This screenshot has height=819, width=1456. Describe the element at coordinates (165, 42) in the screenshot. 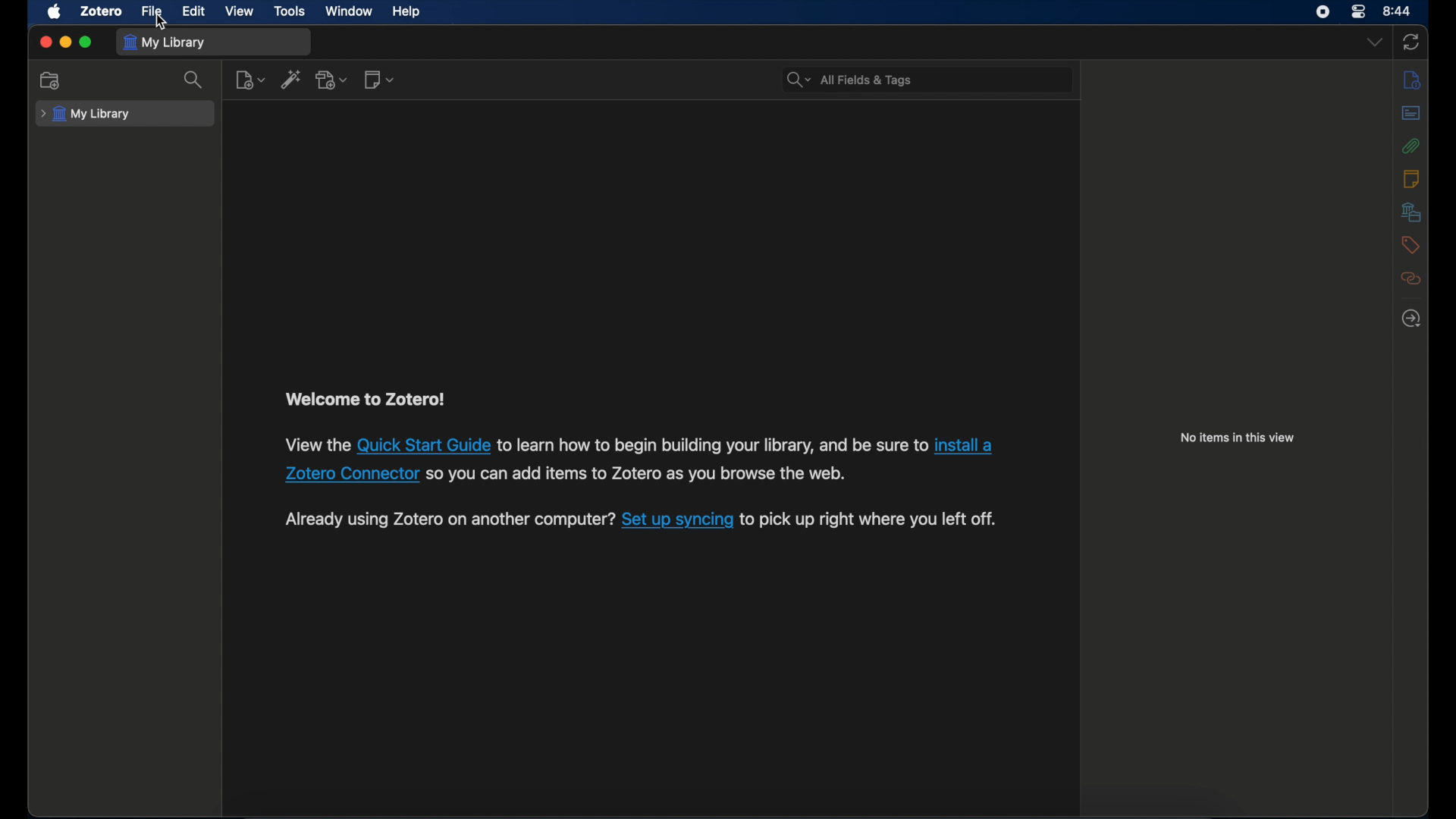

I see `my library` at that location.